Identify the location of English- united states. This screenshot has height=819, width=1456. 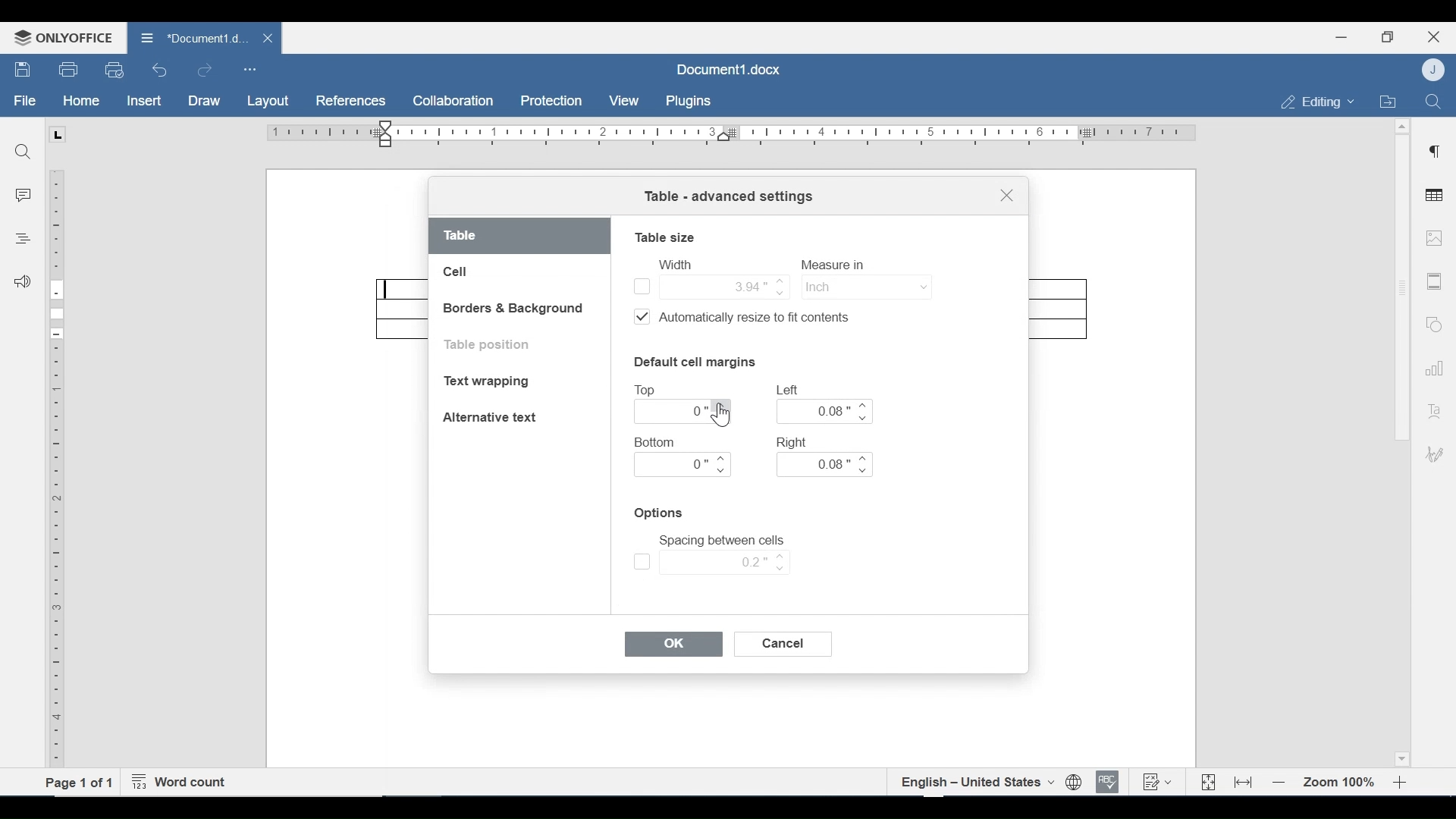
(976, 782).